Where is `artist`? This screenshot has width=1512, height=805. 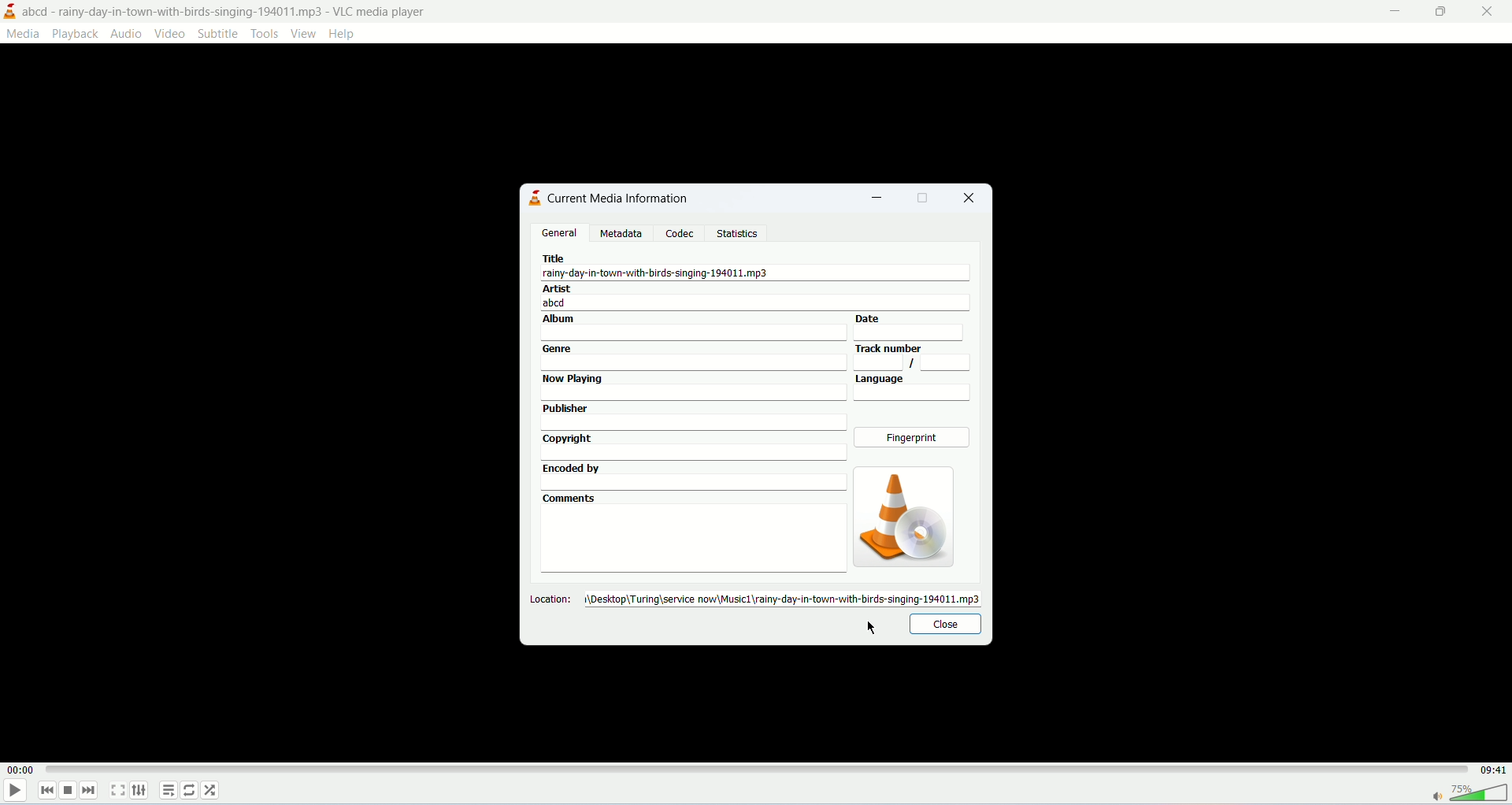 artist is located at coordinates (755, 297).